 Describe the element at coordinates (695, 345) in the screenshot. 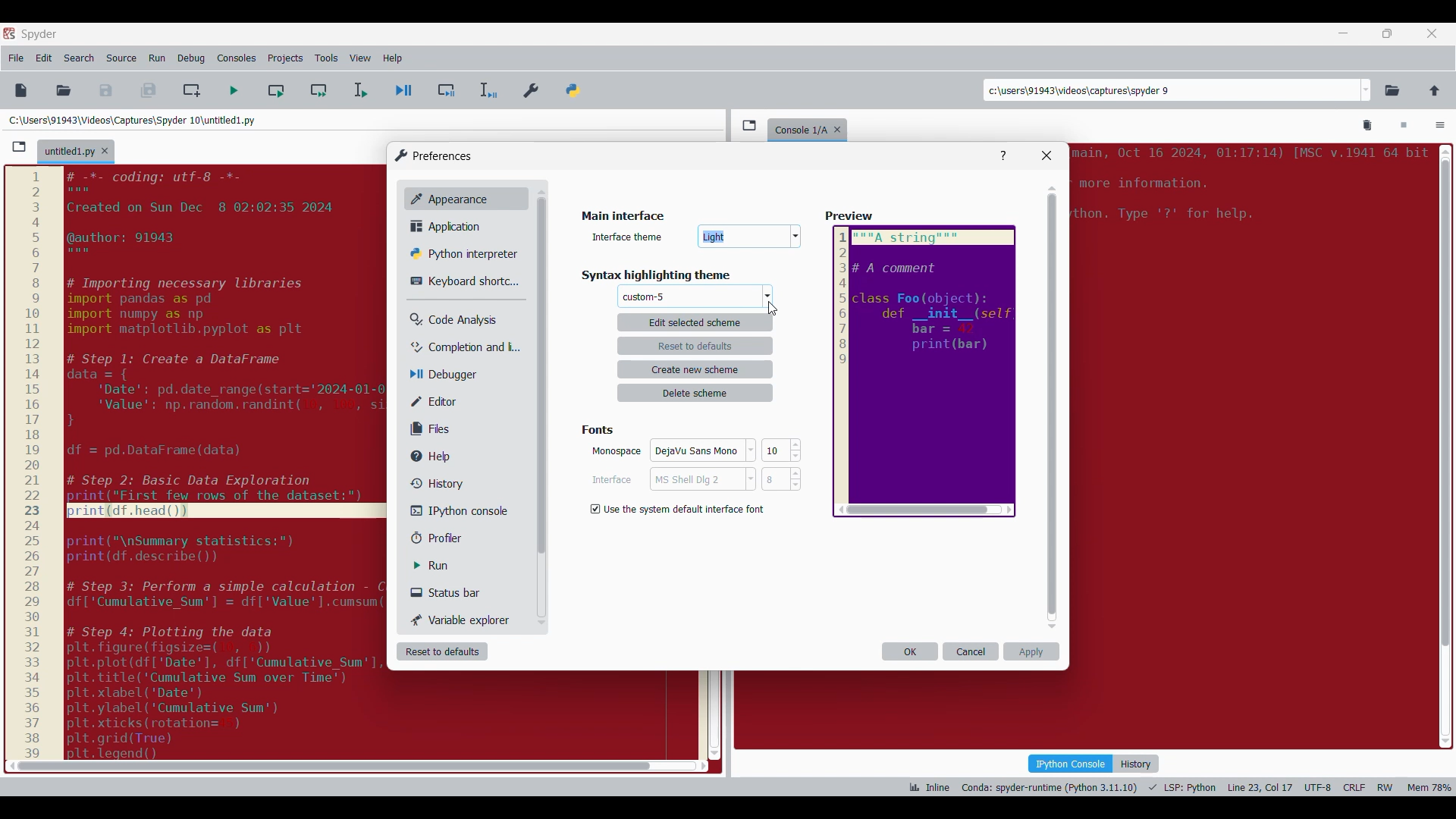

I see `reset to defaults` at that location.